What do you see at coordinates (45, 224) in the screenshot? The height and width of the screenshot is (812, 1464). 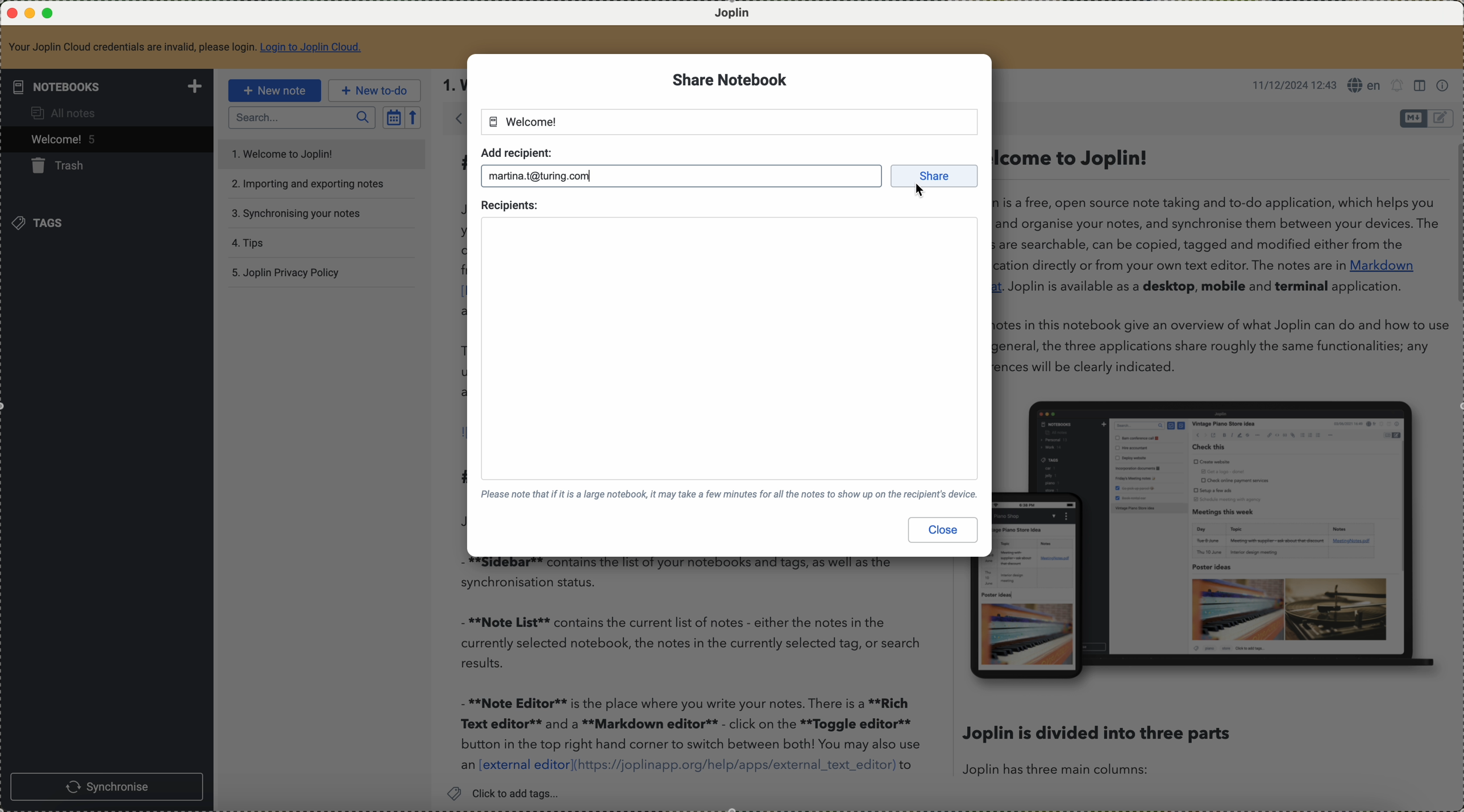 I see `tags` at bounding box center [45, 224].